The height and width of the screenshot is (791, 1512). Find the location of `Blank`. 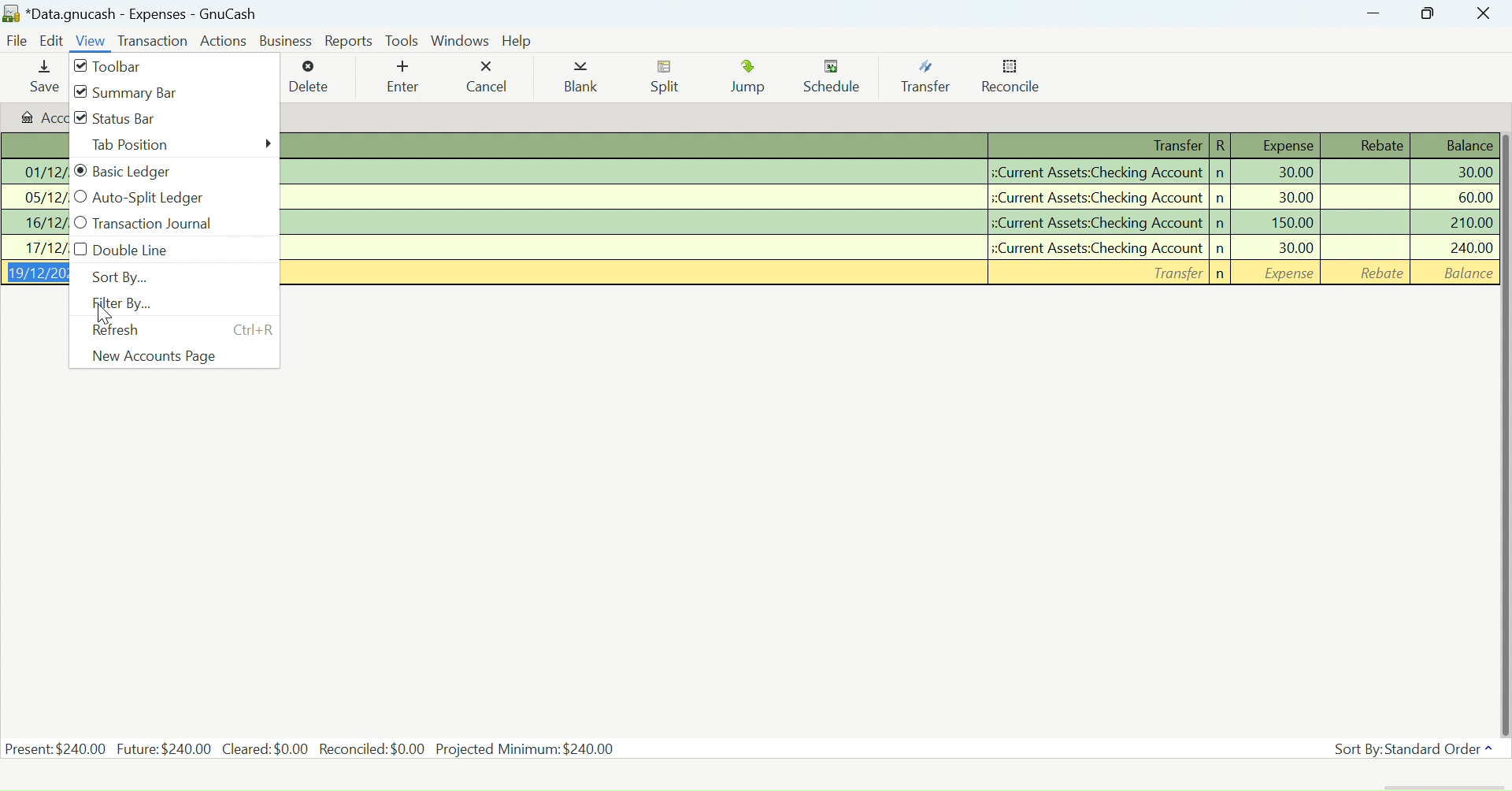

Blank is located at coordinates (581, 80).